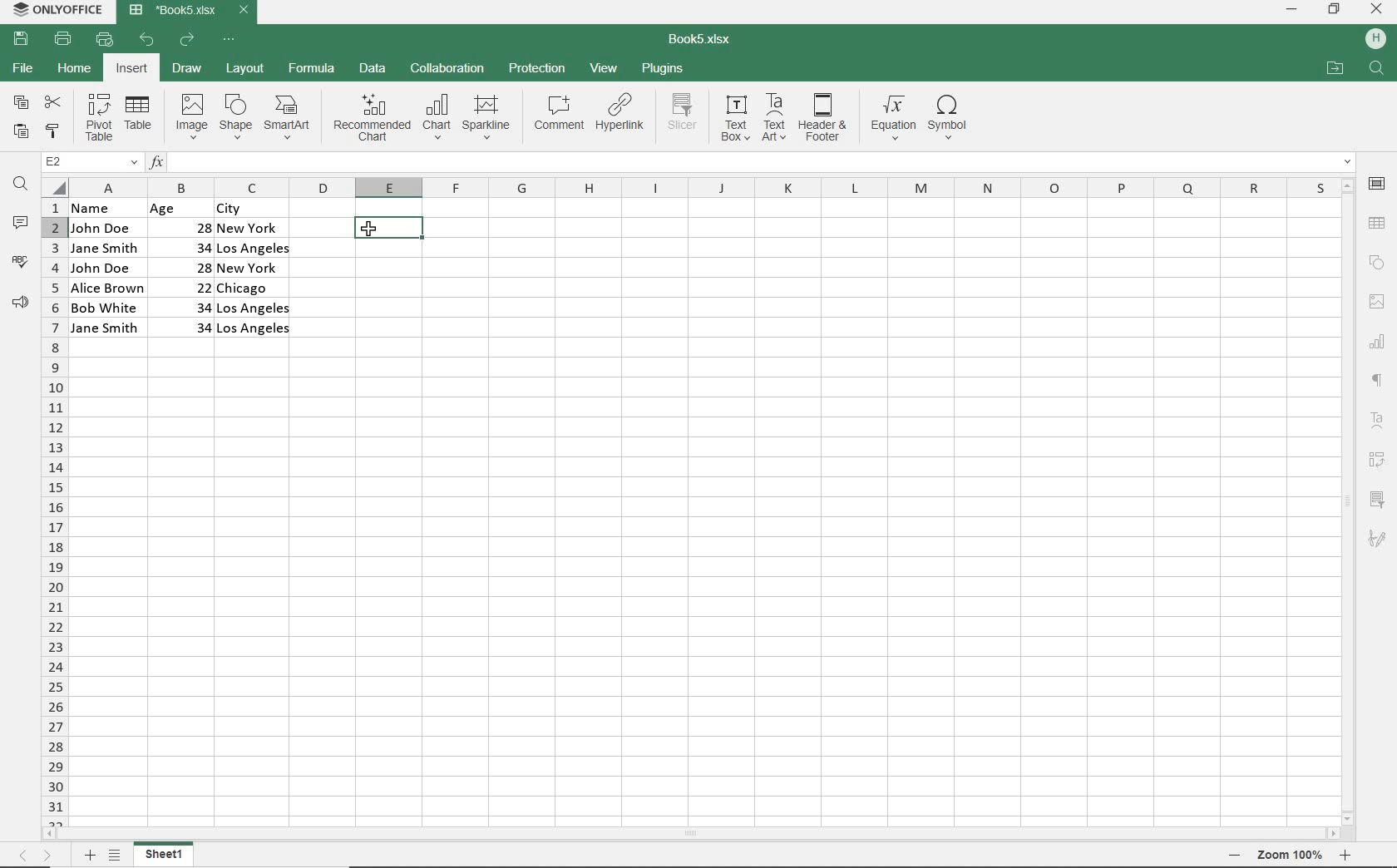 The width and height of the screenshot is (1397, 868). Describe the element at coordinates (237, 116) in the screenshot. I see `SHAPE` at that location.